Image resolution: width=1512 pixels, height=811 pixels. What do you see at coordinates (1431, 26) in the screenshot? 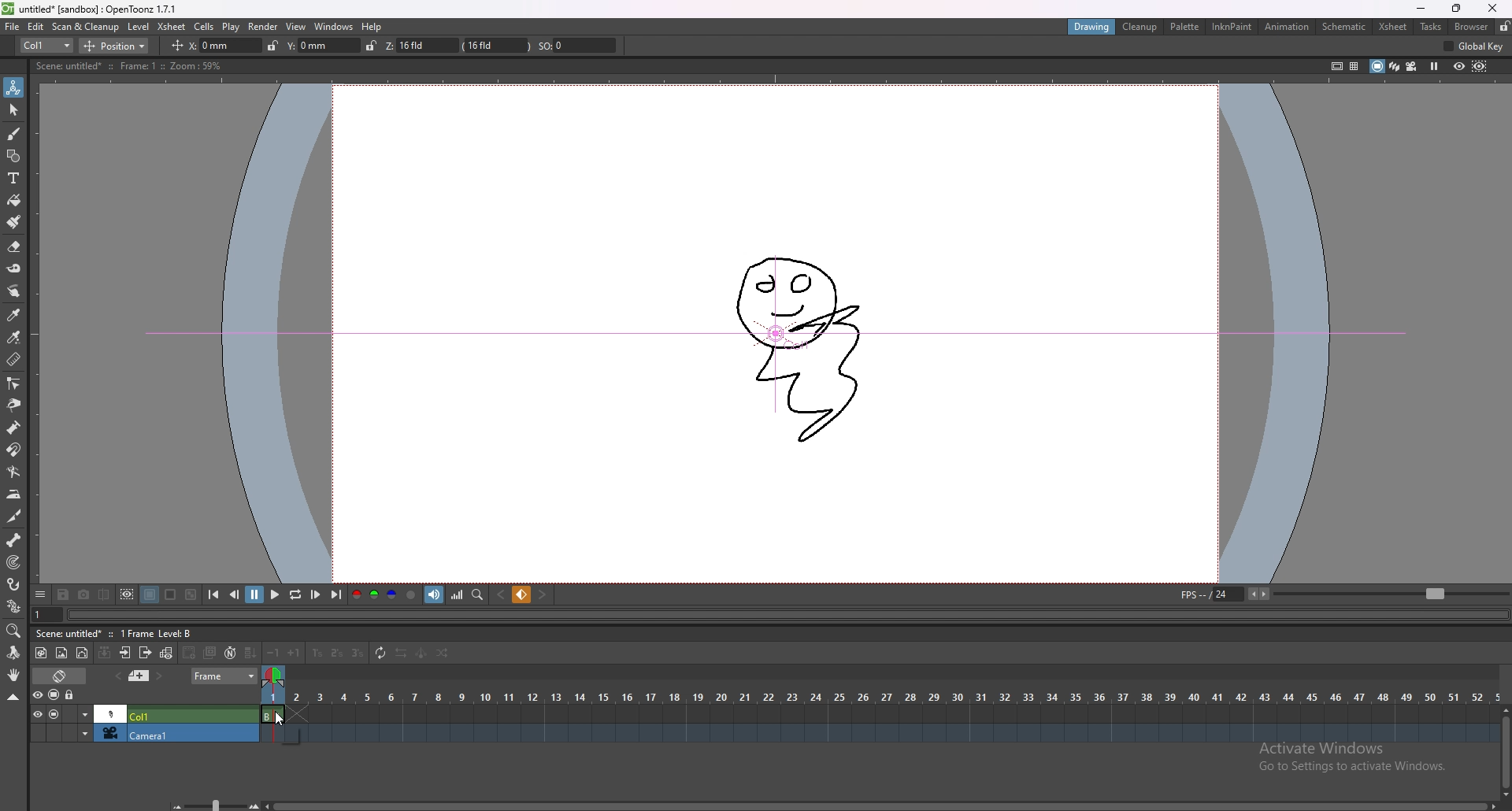
I see `tasks` at bounding box center [1431, 26].